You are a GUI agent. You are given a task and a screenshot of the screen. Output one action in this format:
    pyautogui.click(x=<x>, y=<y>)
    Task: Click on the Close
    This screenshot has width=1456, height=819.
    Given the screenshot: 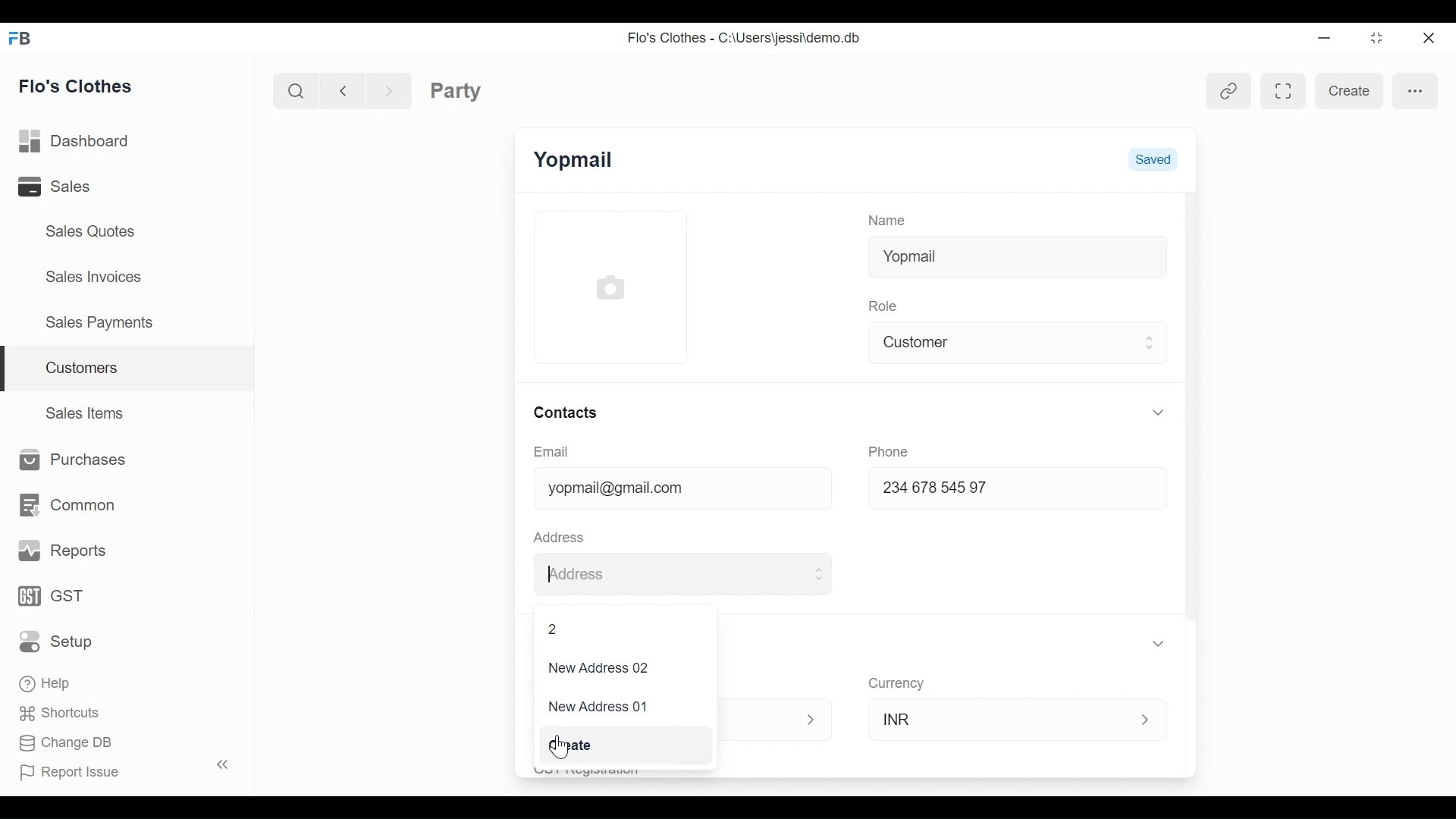 What is the action you would take?
    pyautogui.click(x=1426, y=37)
    